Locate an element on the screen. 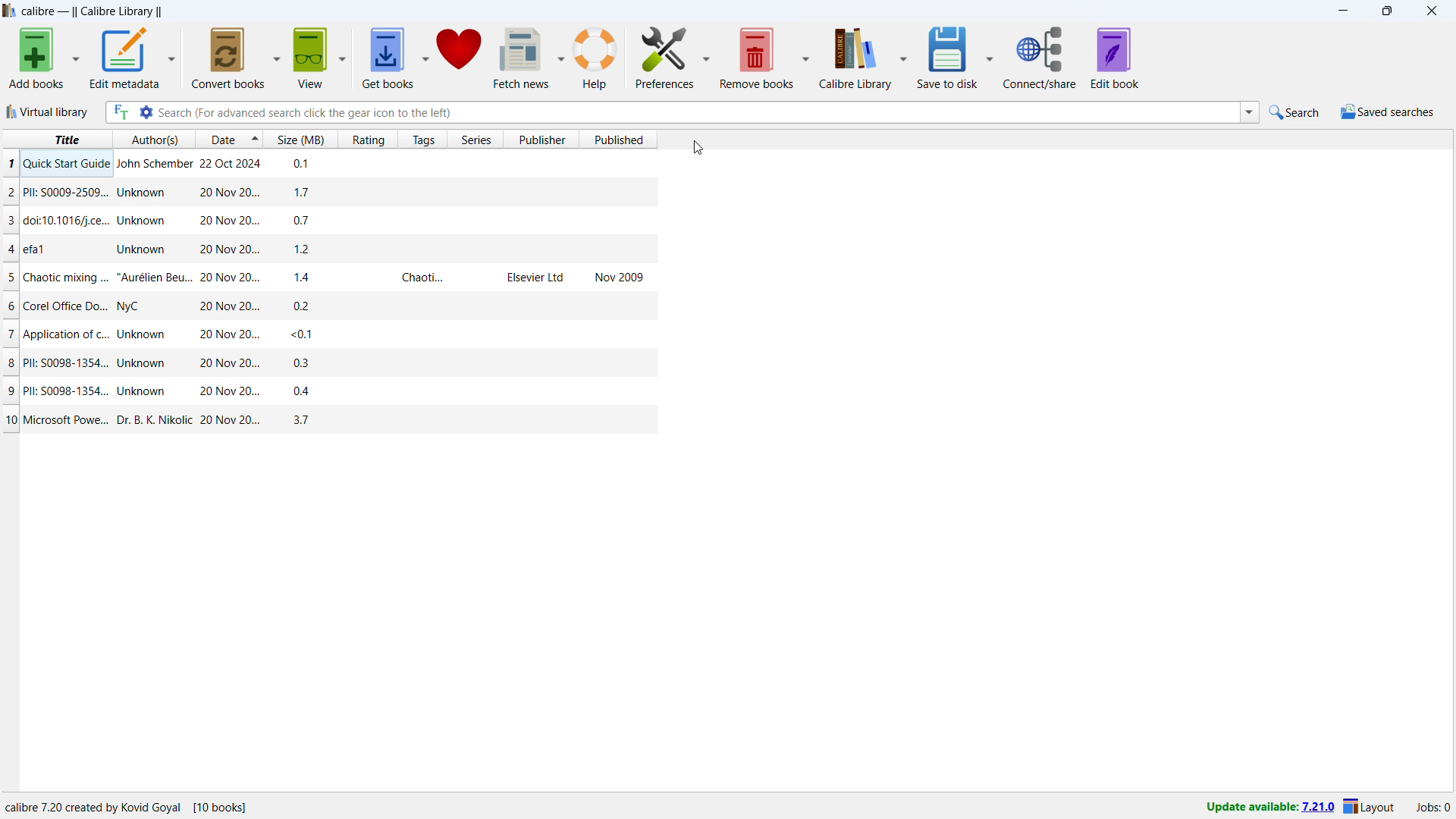 The image size is (1456, 819). donate to calibre is located at coordinates (459, 58).